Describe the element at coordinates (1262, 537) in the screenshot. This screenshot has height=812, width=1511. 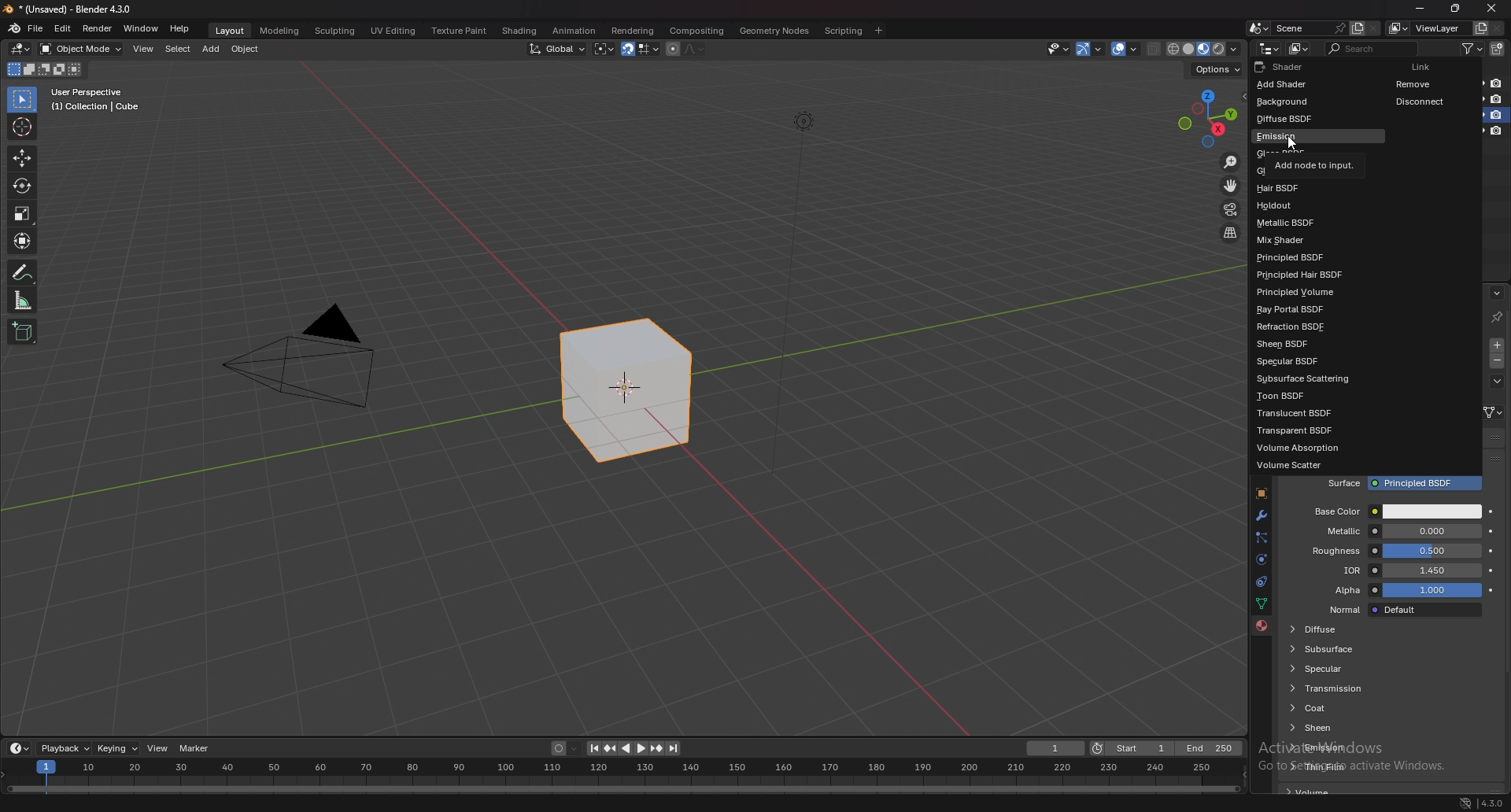
I see `particles` at that location.